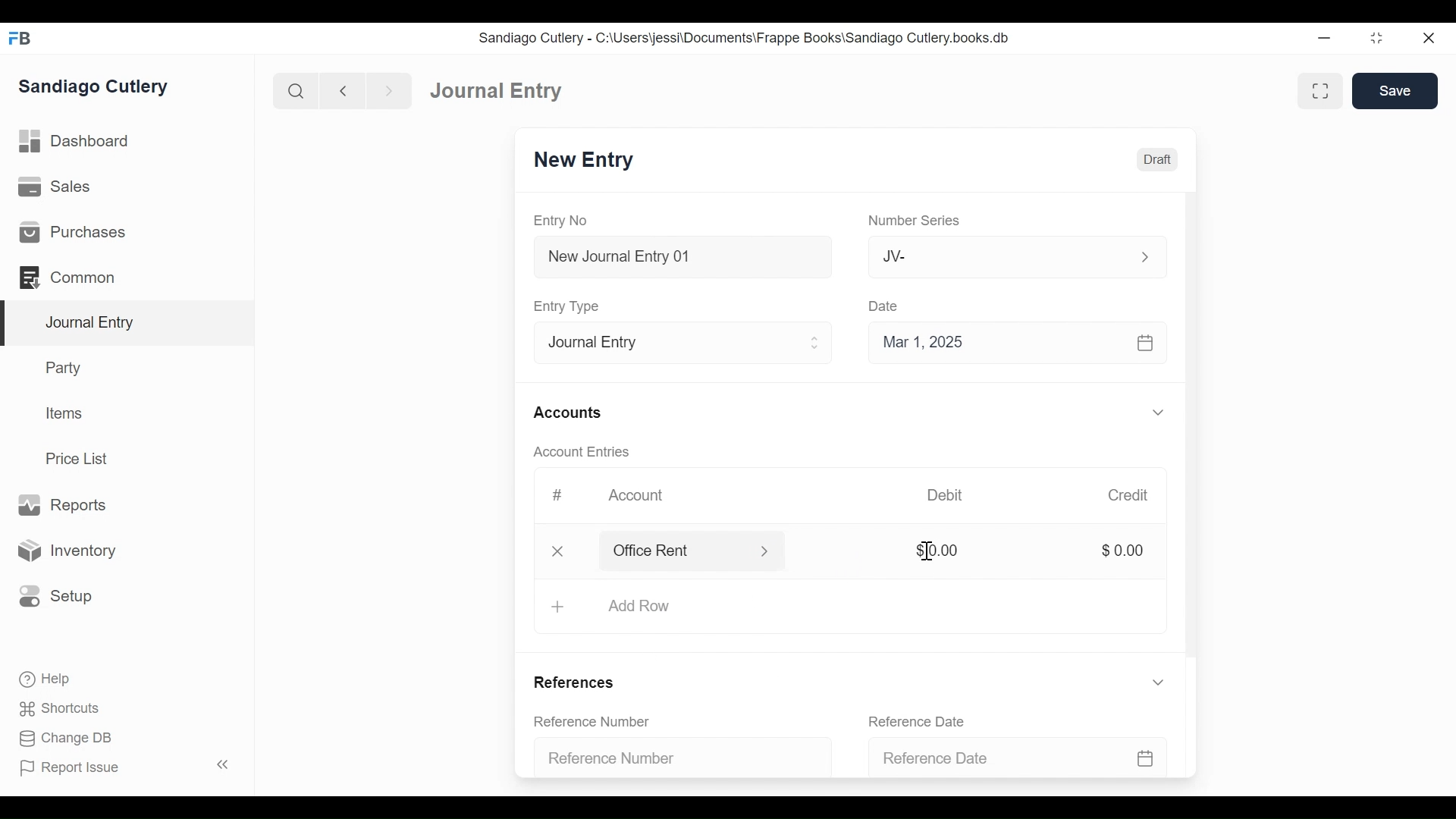  What do you see at coordinates (678, 256) in the screenshot?
I see `New Journal Entry 01` at bounding box center [678, 256].